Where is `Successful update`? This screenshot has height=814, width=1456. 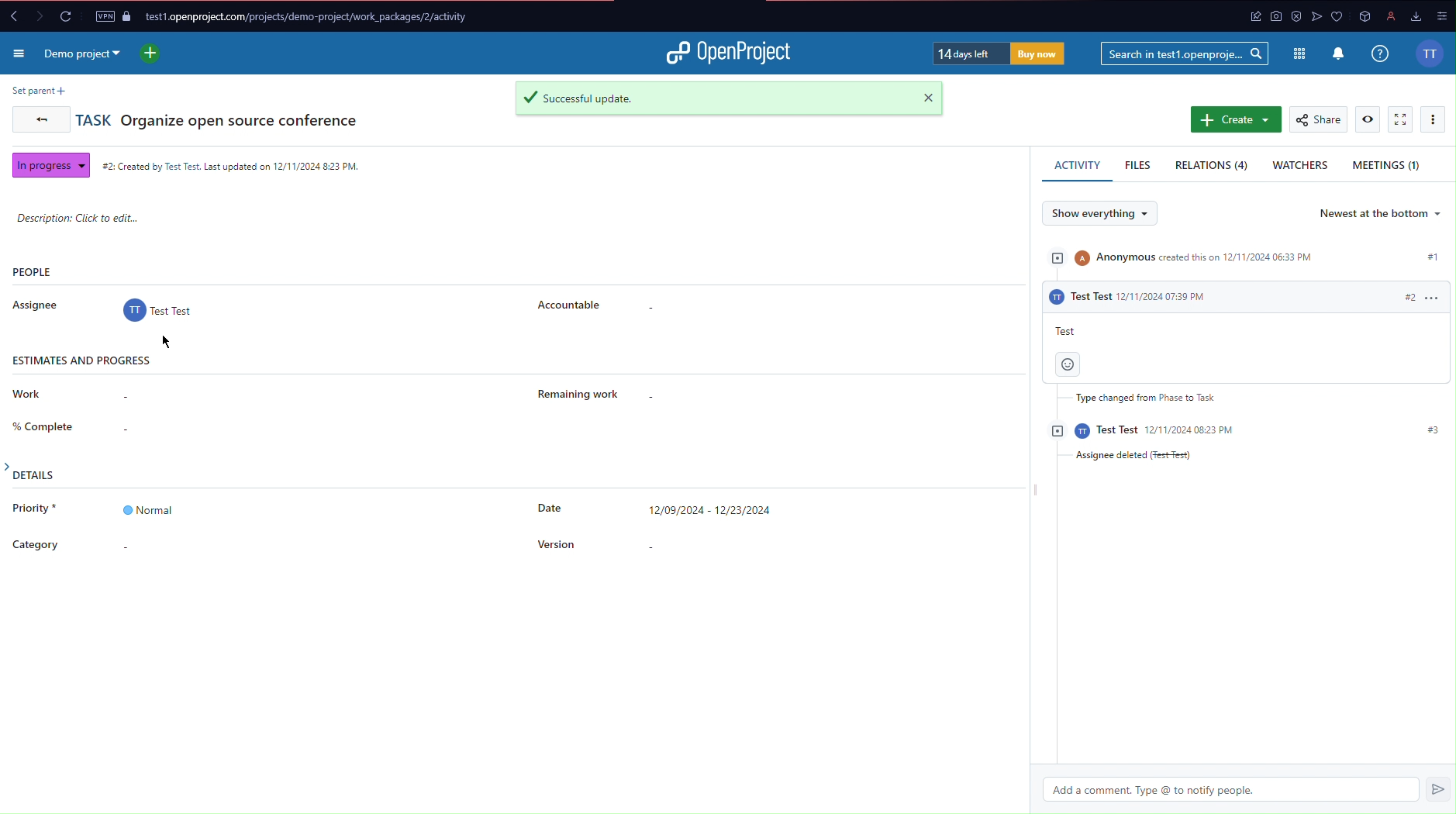
Successful update is located at coordinates (729, 103).